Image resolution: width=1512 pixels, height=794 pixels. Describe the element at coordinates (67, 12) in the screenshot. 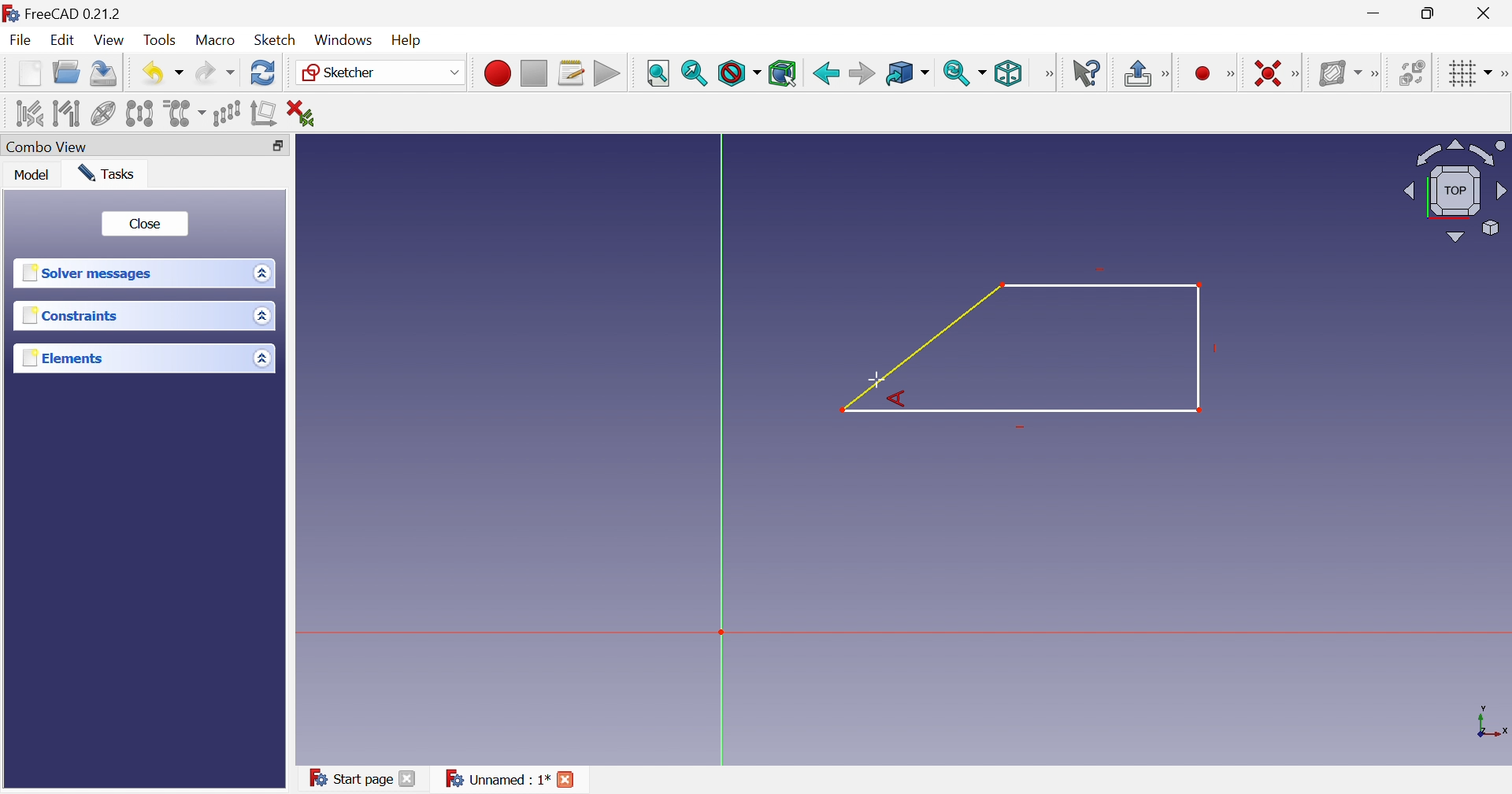

I see `FreeCAD 0.21.2` at that location.